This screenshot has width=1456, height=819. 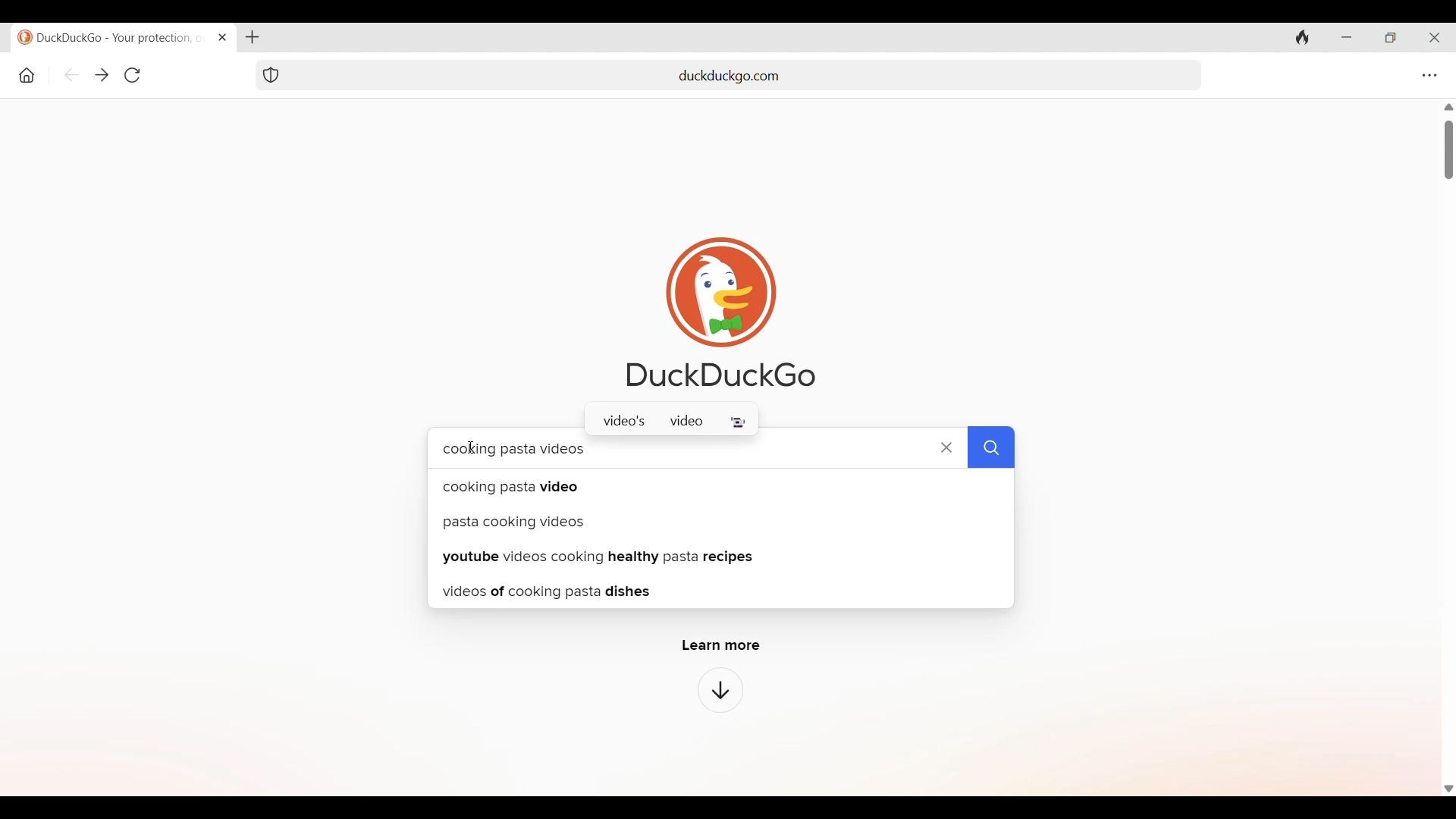 I want to click on Minimize, so click(x=1347, y=38).